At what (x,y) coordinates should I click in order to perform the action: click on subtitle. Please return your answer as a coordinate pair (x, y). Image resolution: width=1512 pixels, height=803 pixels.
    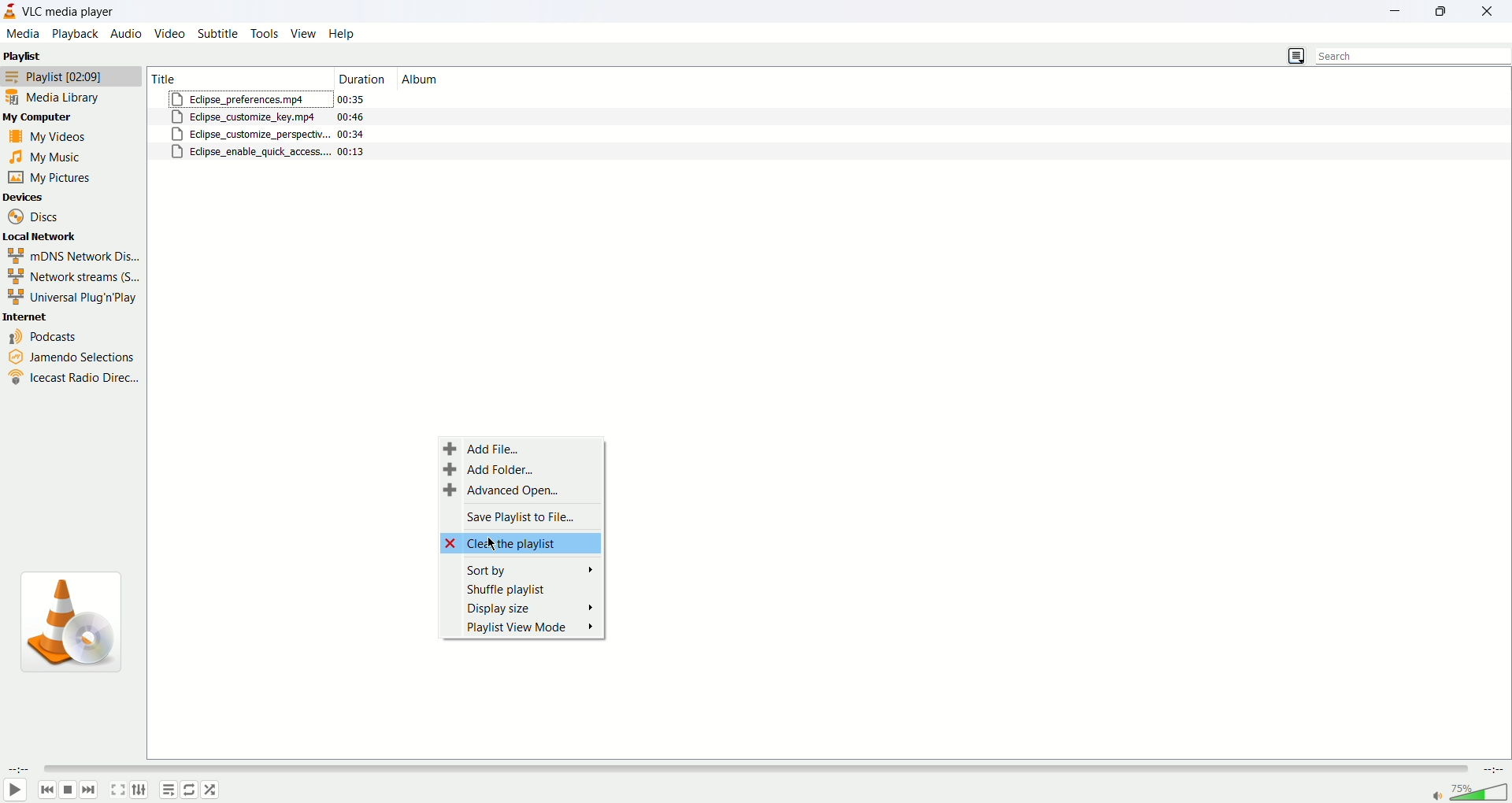
    Looking at the image, I should click on (216, 34).